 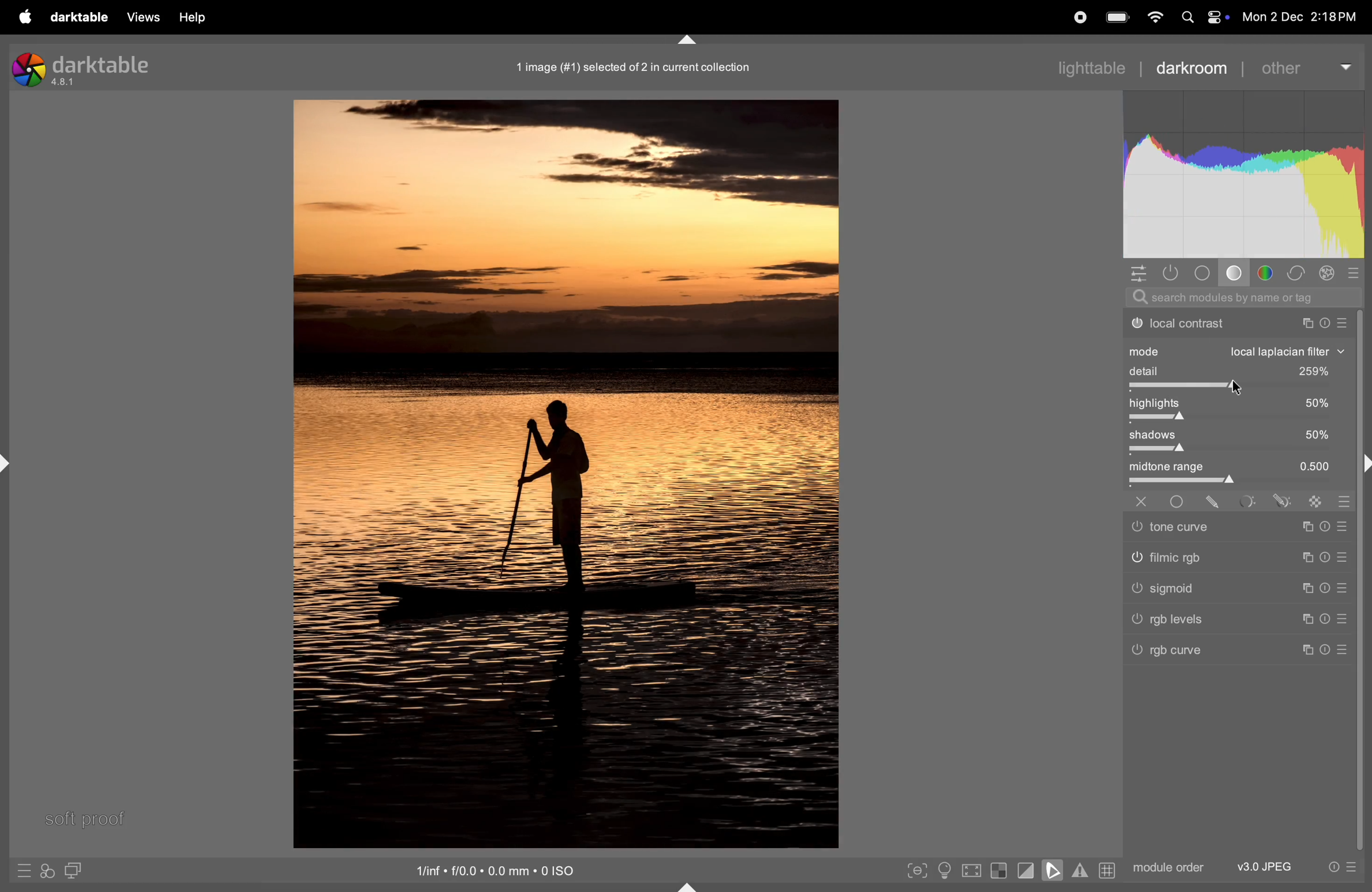 What do you see at coordinates (1192, 67) in the screenshot?
I see `darkroom` at bounding box center [1192, 67].